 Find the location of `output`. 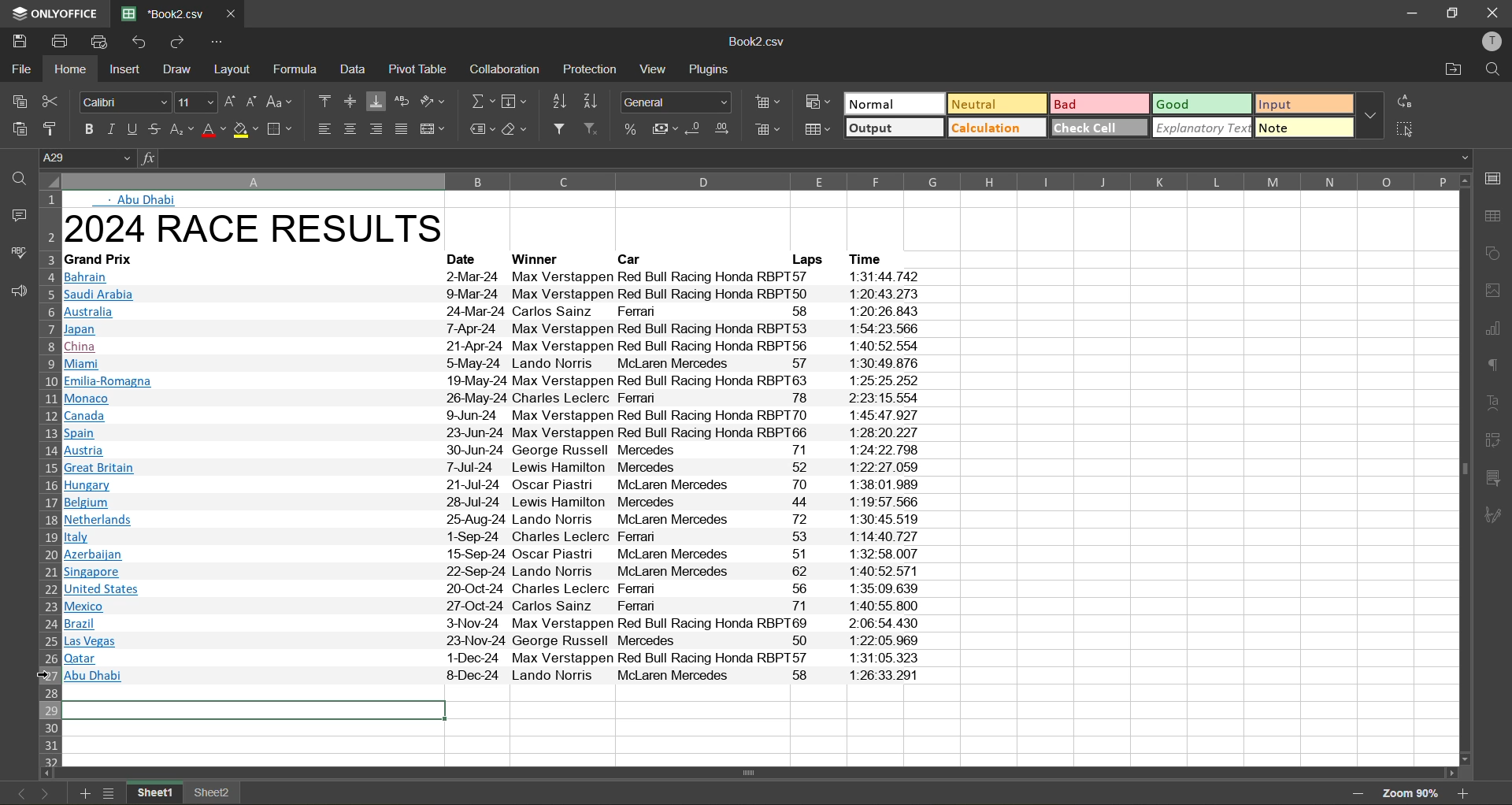

output is located at coordinates (895, 129).